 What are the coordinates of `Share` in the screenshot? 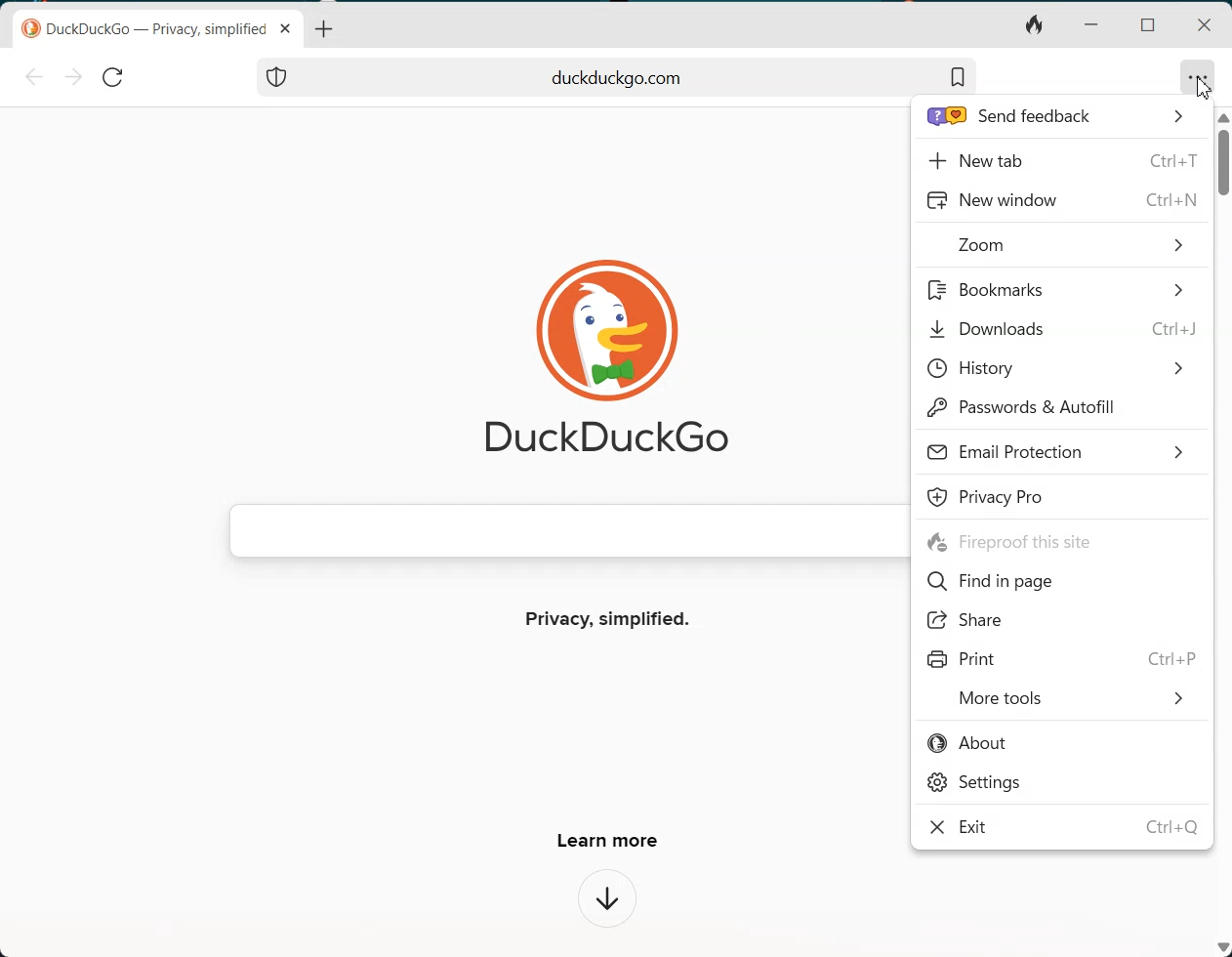 It's located at (1062, 616).